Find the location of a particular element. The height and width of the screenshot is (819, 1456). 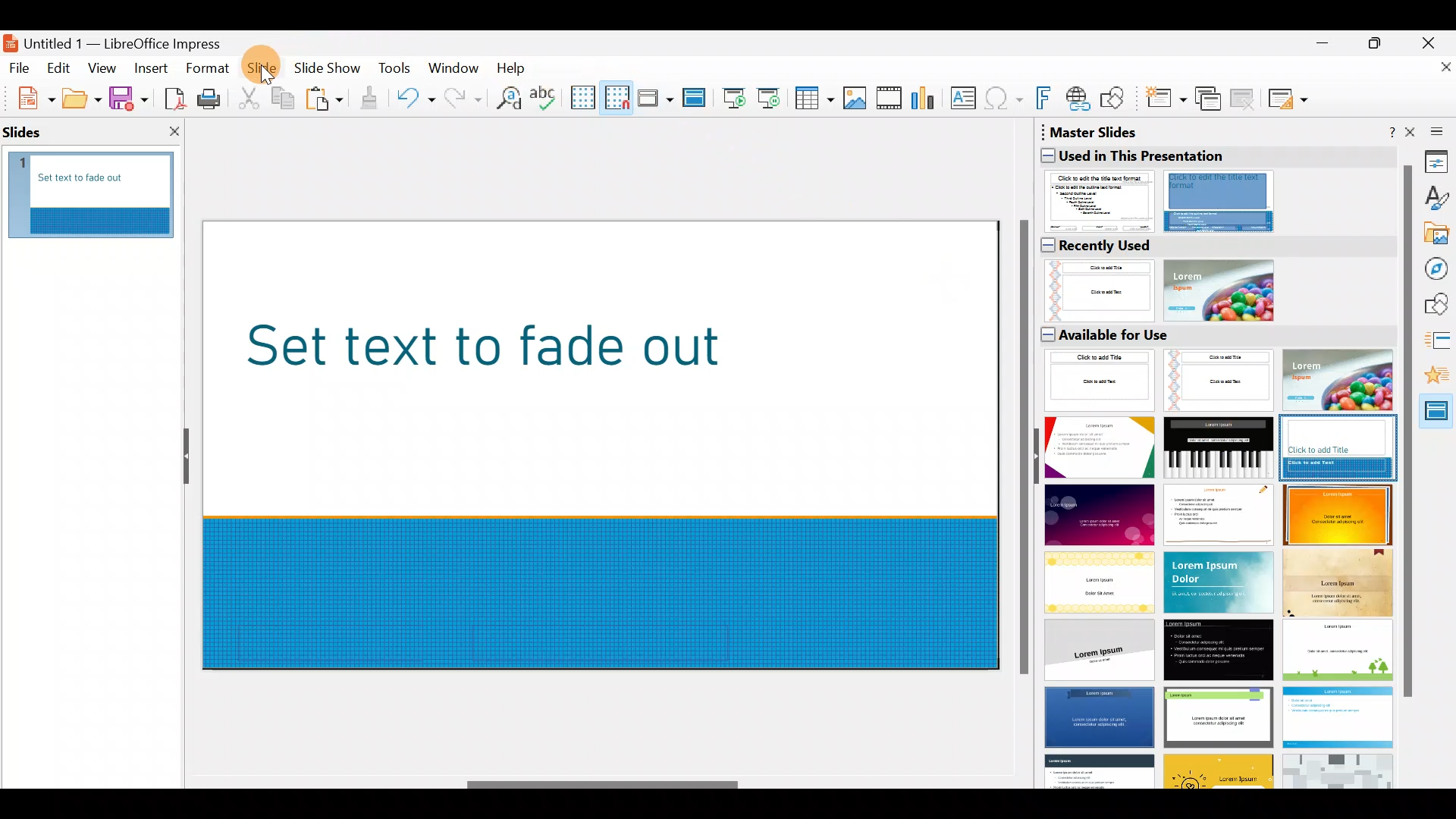

Scroll bar is located at coordinates (1021, 449).